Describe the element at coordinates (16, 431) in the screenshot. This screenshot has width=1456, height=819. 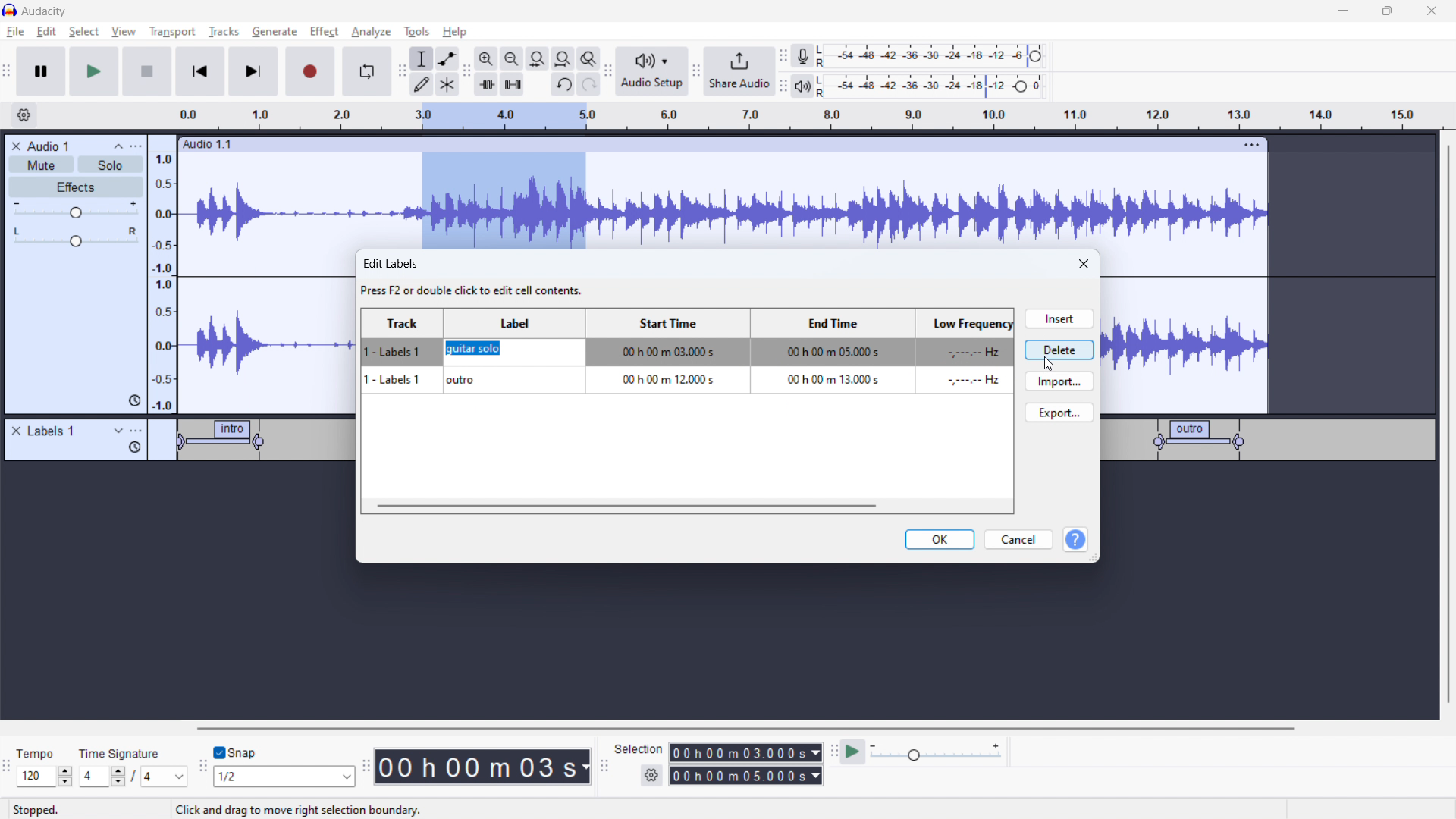
I see `remove` at that location.